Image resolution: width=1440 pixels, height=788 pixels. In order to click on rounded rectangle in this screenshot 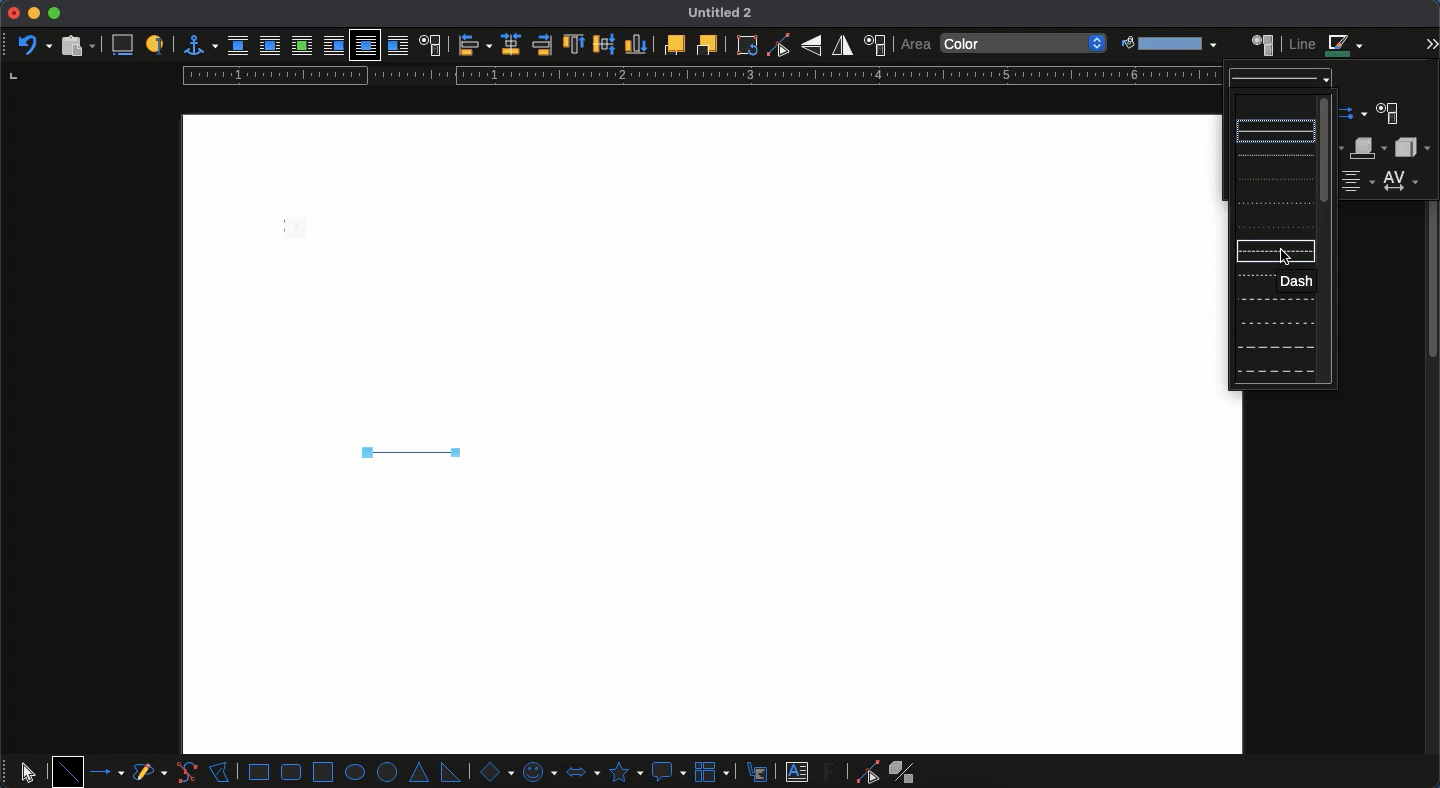, I will do `click(292, 772)`.